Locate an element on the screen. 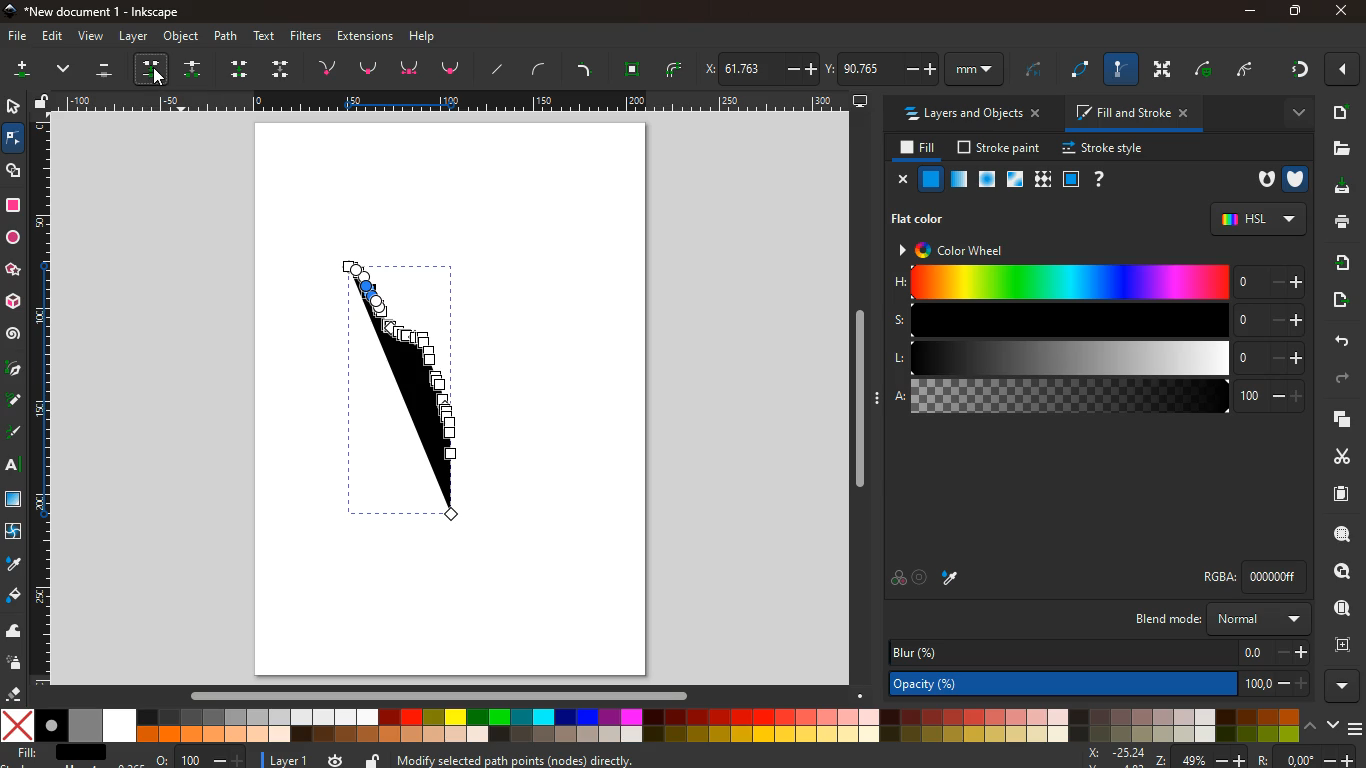 The width and height of the screenshot is (1366, 768). fill is located at coordinates (63, 755).